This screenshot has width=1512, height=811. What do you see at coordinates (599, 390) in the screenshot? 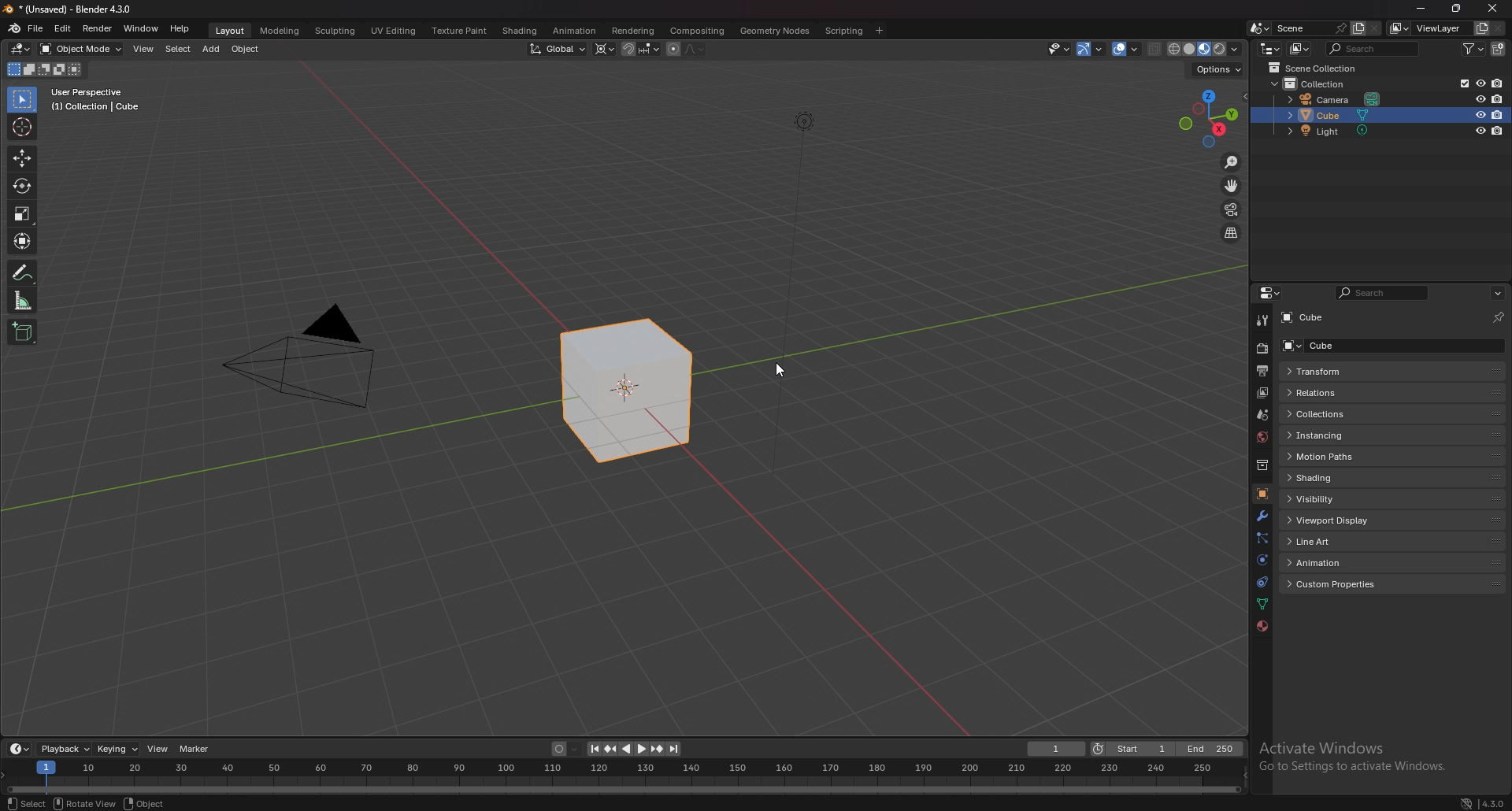
I see `acctive element` at bounding box center [599, 390].